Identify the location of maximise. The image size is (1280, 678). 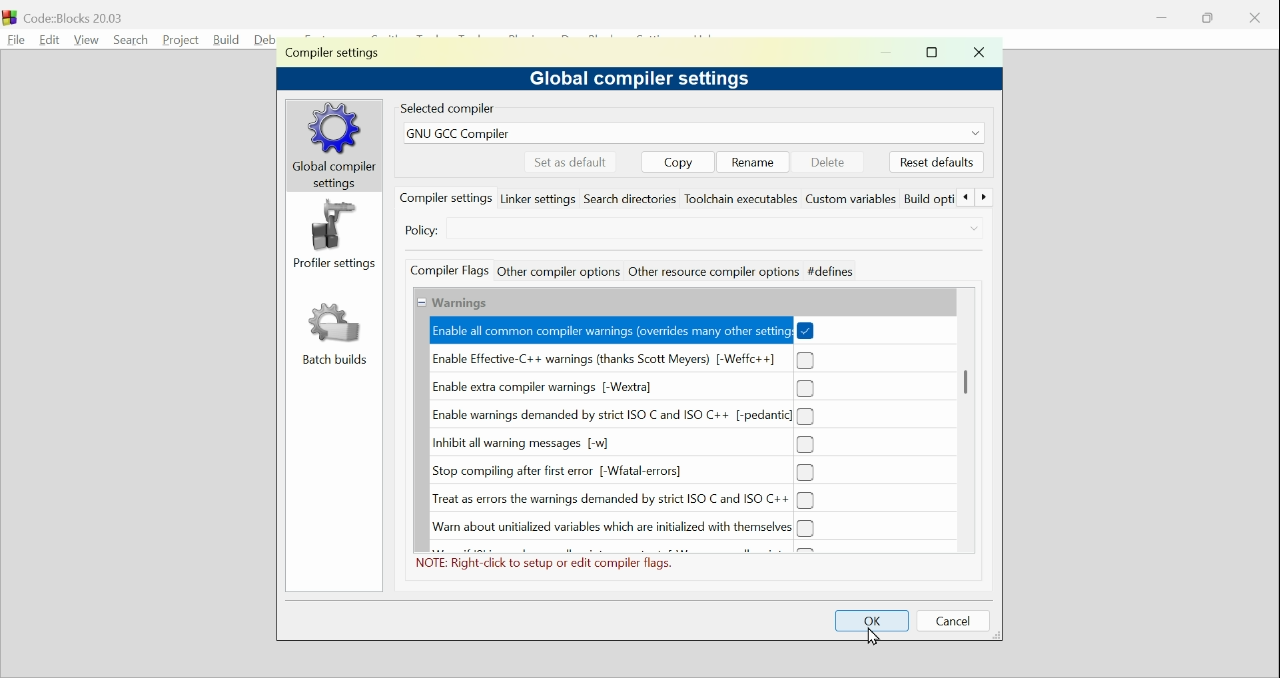
(935, 54).